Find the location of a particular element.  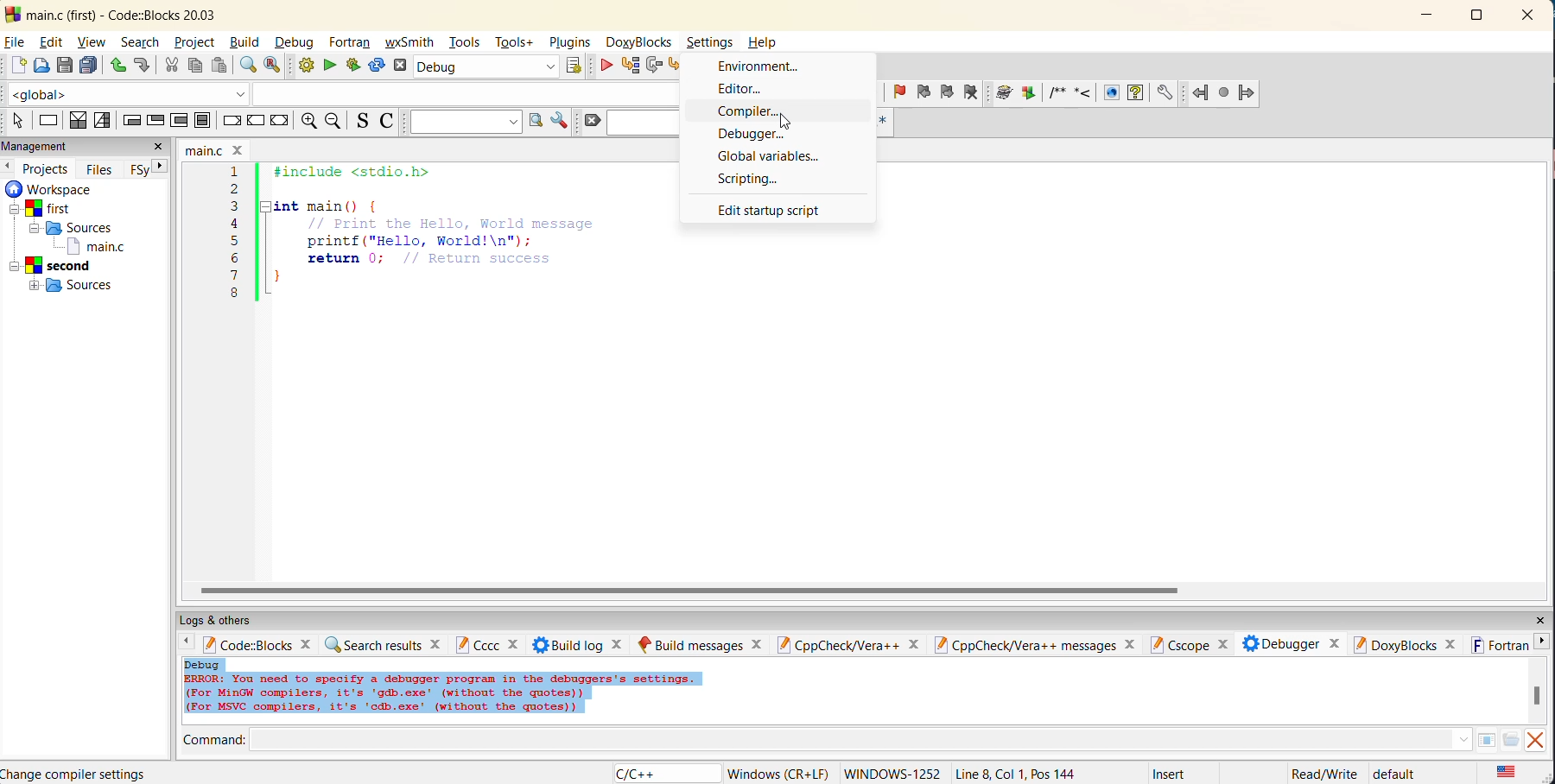

code:blocks is located at coordinates (263, 643).